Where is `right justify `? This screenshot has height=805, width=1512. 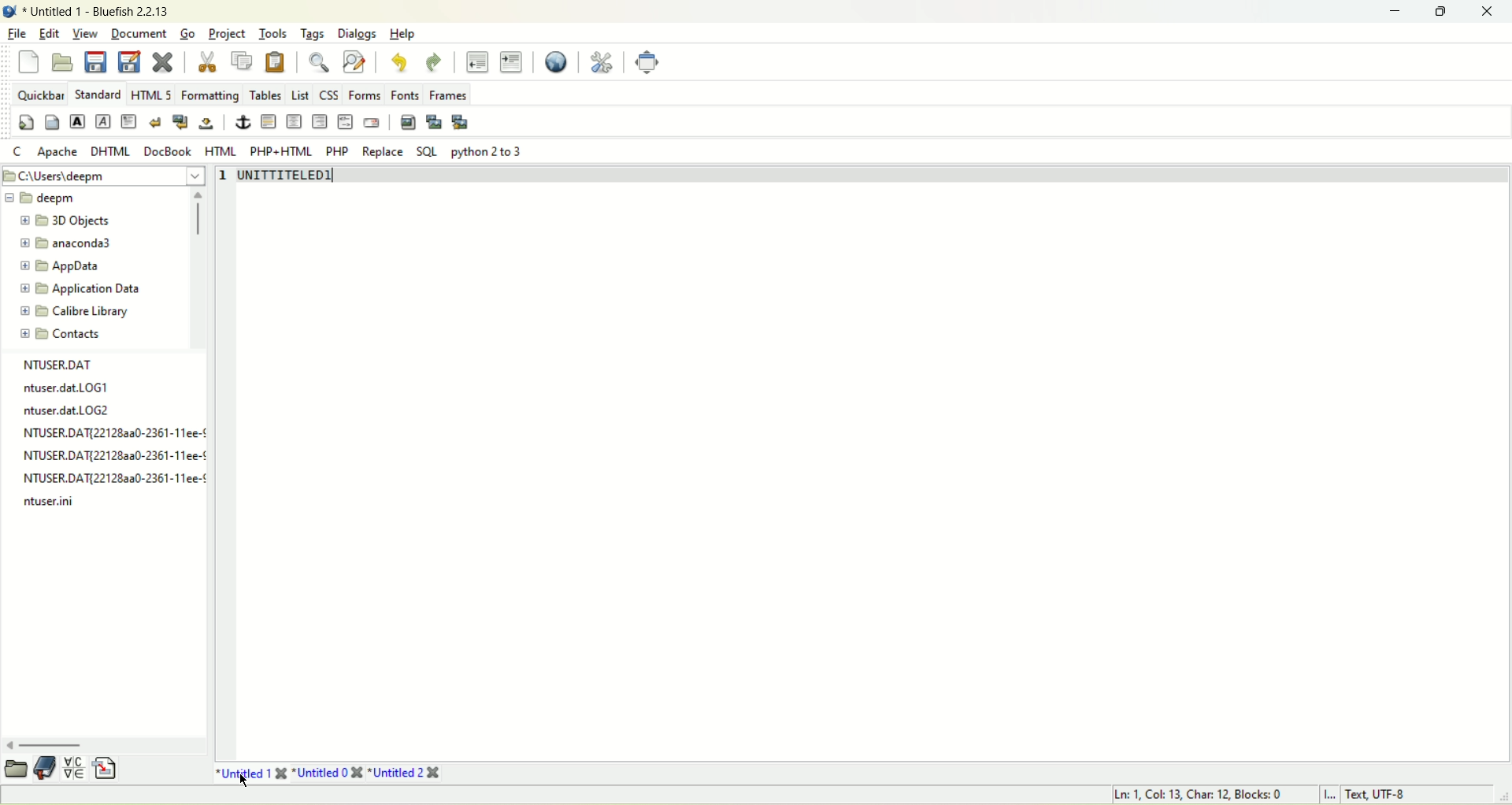 right justify  is located at coordinates (320, 125).